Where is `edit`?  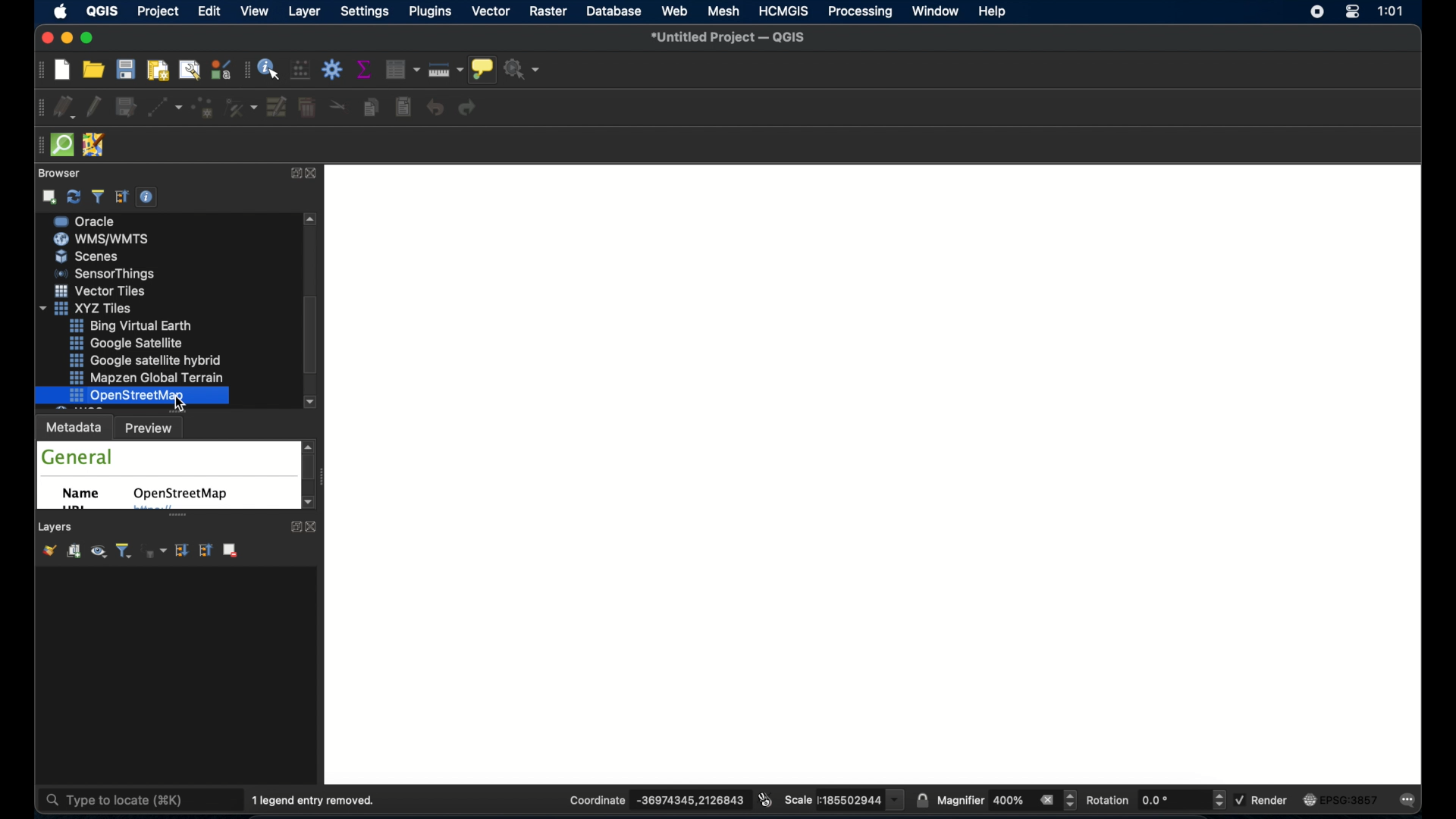 edit is located at coordinates (209, 11).